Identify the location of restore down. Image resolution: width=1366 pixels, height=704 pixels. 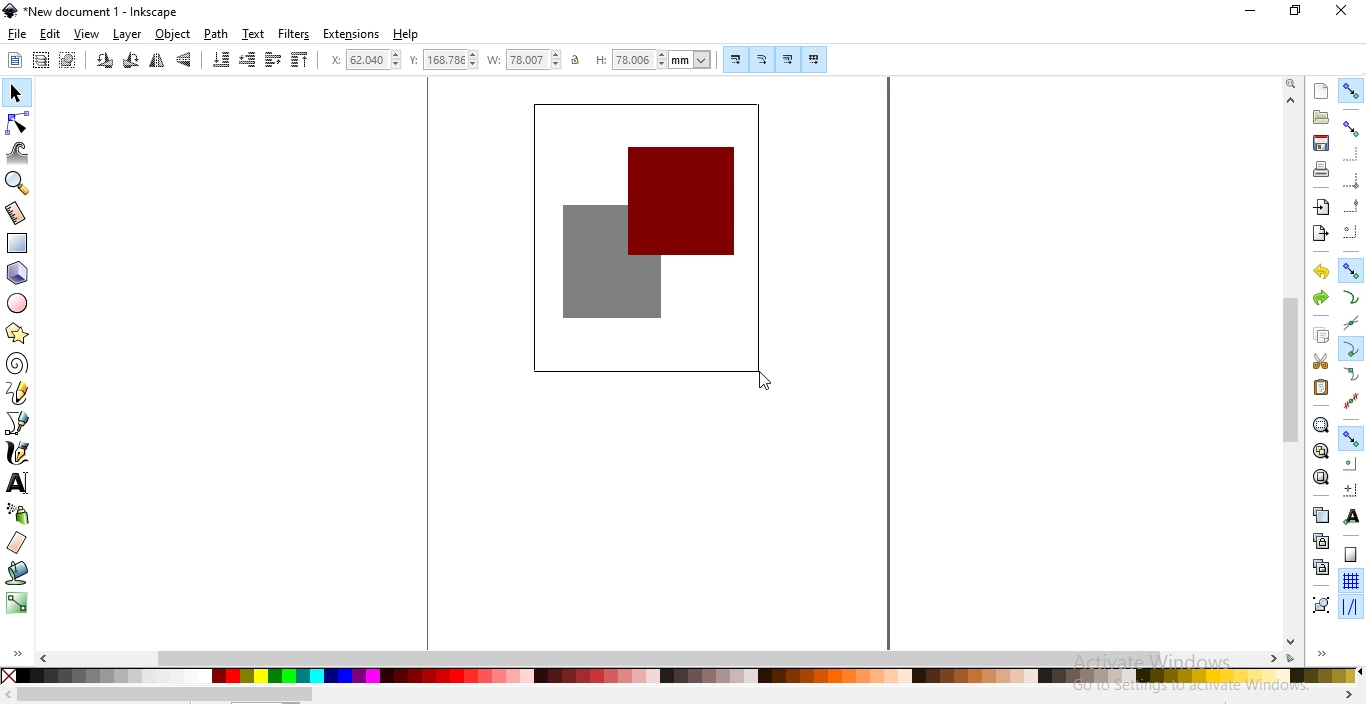
(1296, 12).